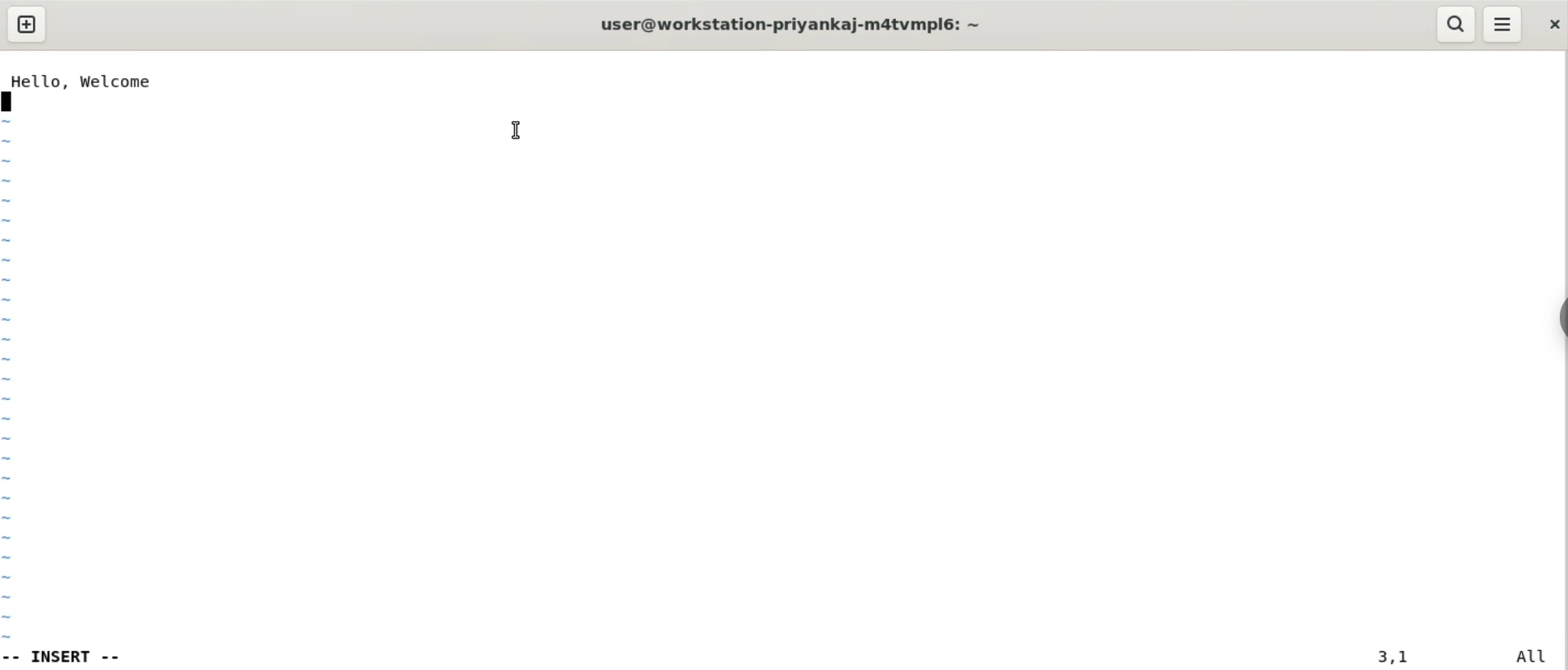 This screenshot has height=670, width=1568. What do you see at coordinates (26, 25) in the screenshot?
I see `new tab` at bounding box center [26, 25].